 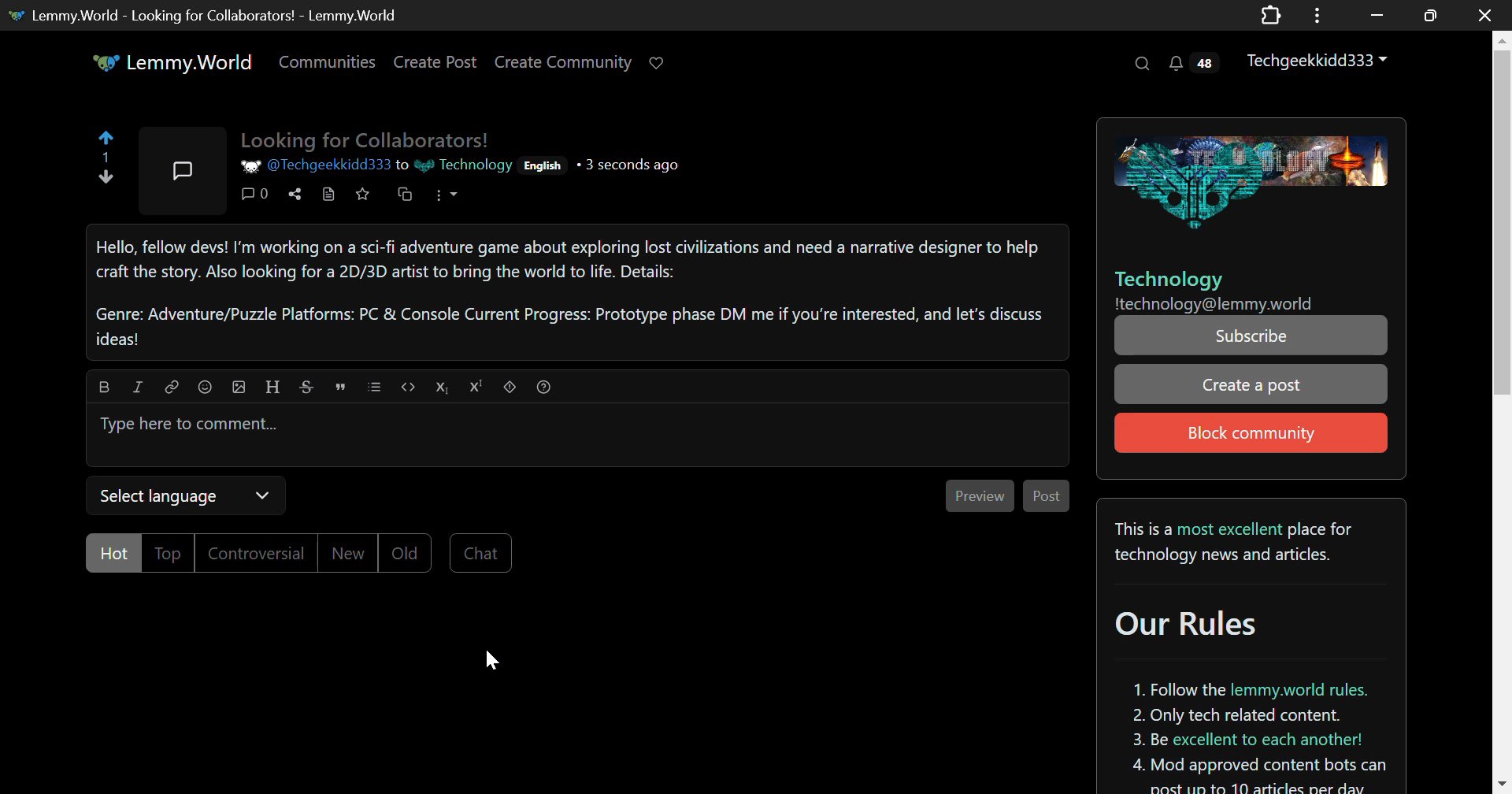 What do you see at coordinates (374, 386) in the screenshot?
I see `list` at bounding box center [374, 386].